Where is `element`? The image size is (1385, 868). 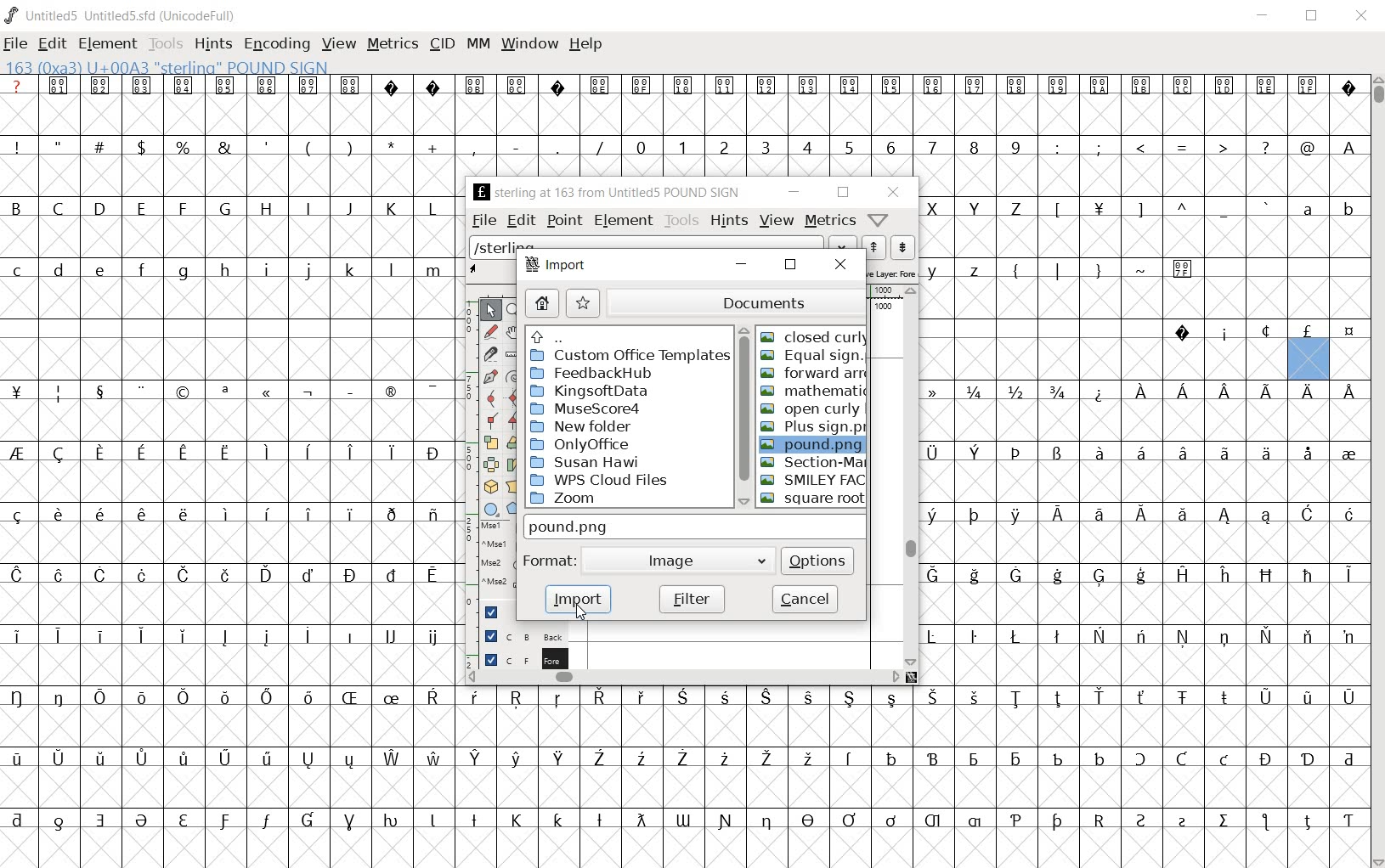
element is located at coordinates (624, 219).